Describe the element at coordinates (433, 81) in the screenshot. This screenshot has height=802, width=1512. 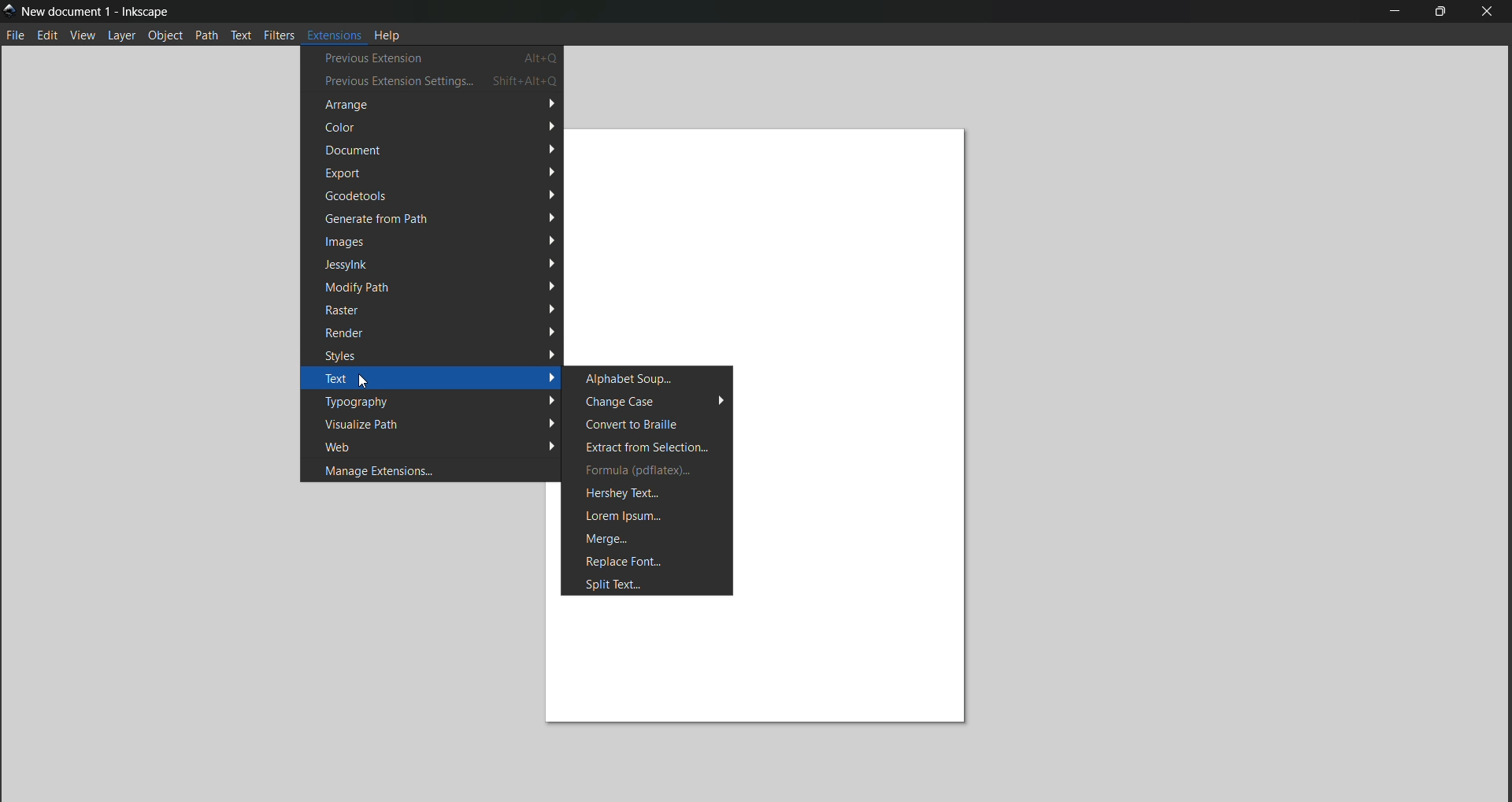
I see `previous extension setting` at that location.